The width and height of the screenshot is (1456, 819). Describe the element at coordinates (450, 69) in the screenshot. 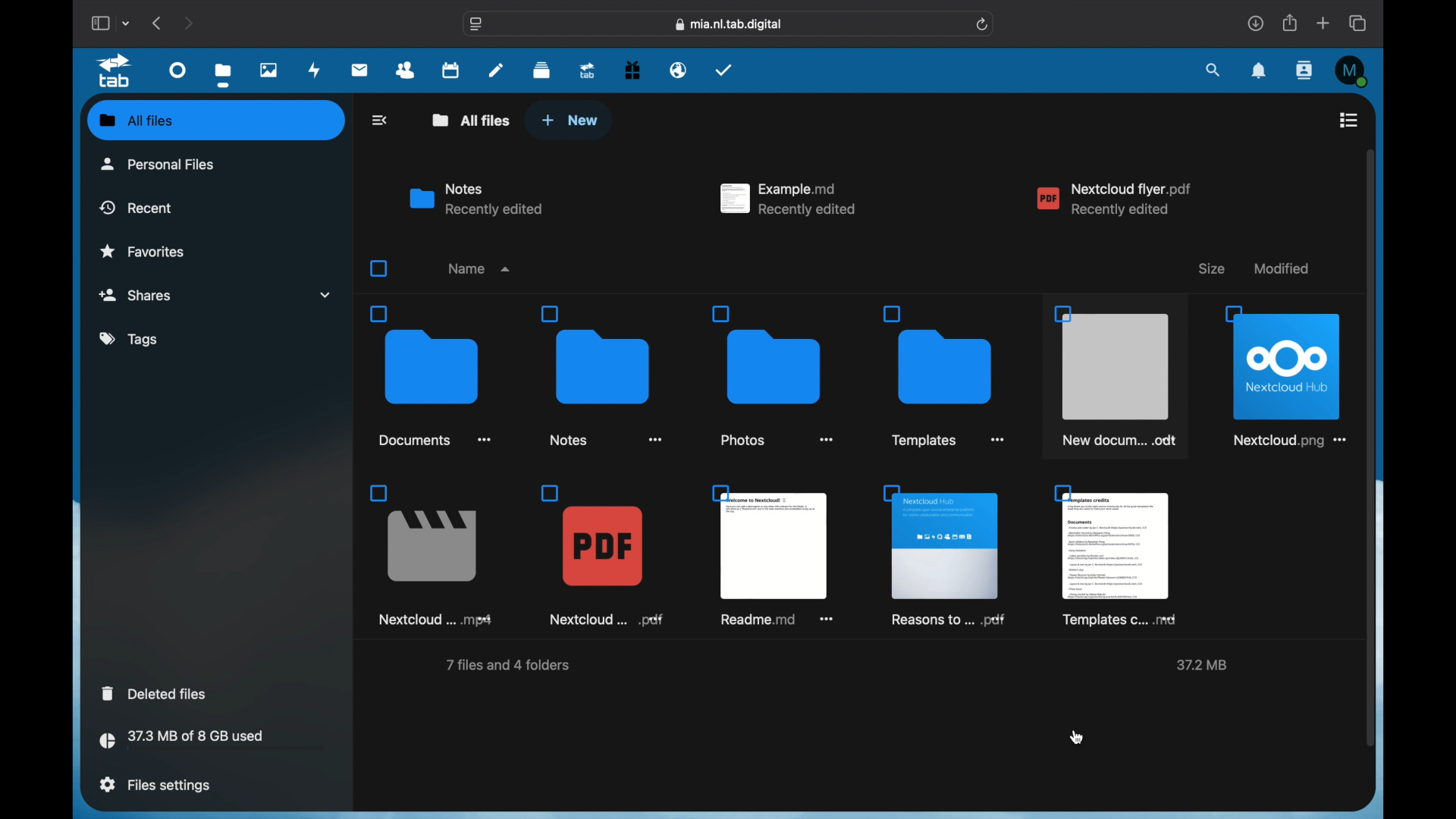

I see `calendar` at that location.